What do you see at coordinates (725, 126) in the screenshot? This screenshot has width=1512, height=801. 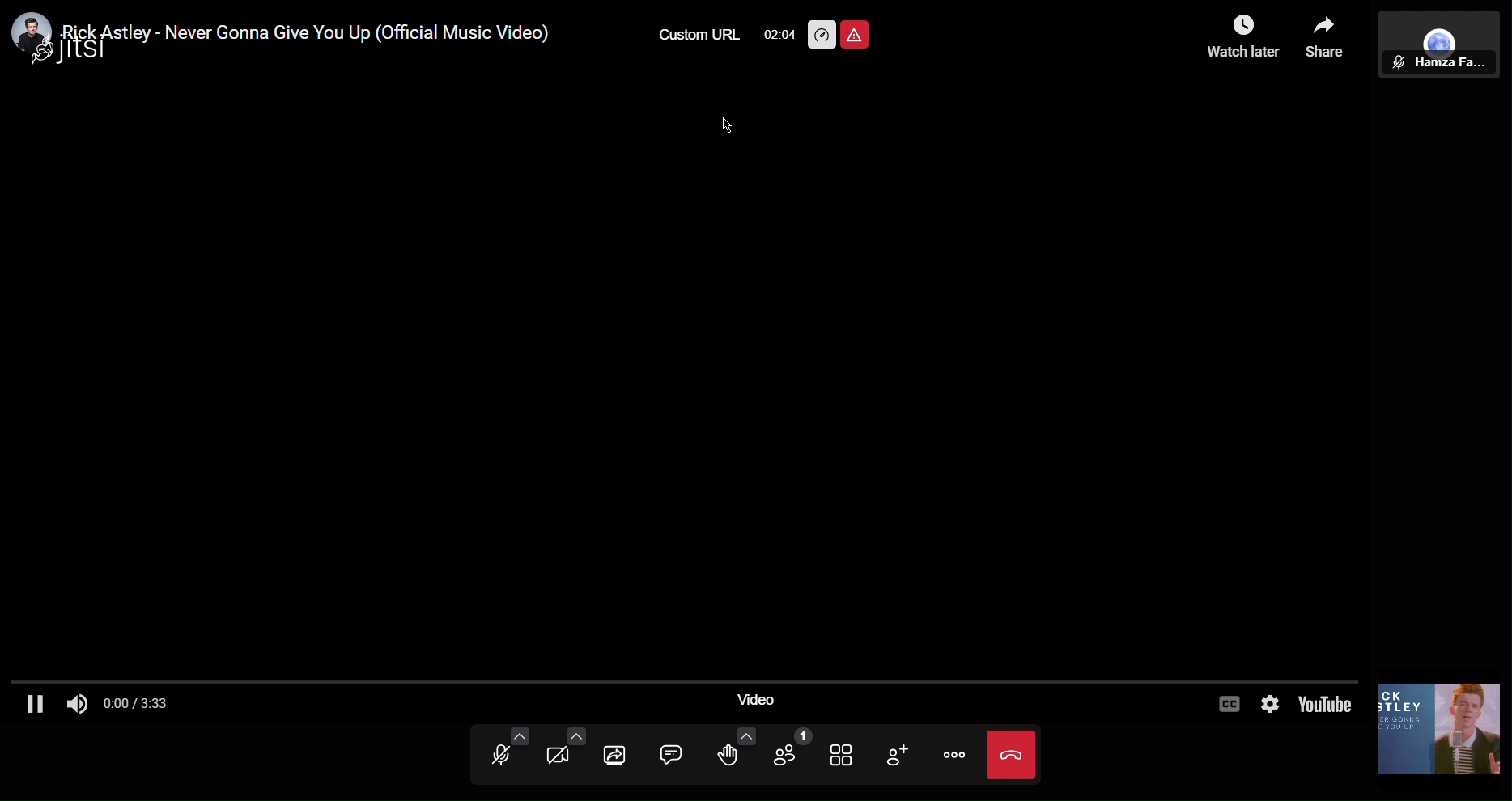 I see `Cursor` at bounding box center [725, 126].